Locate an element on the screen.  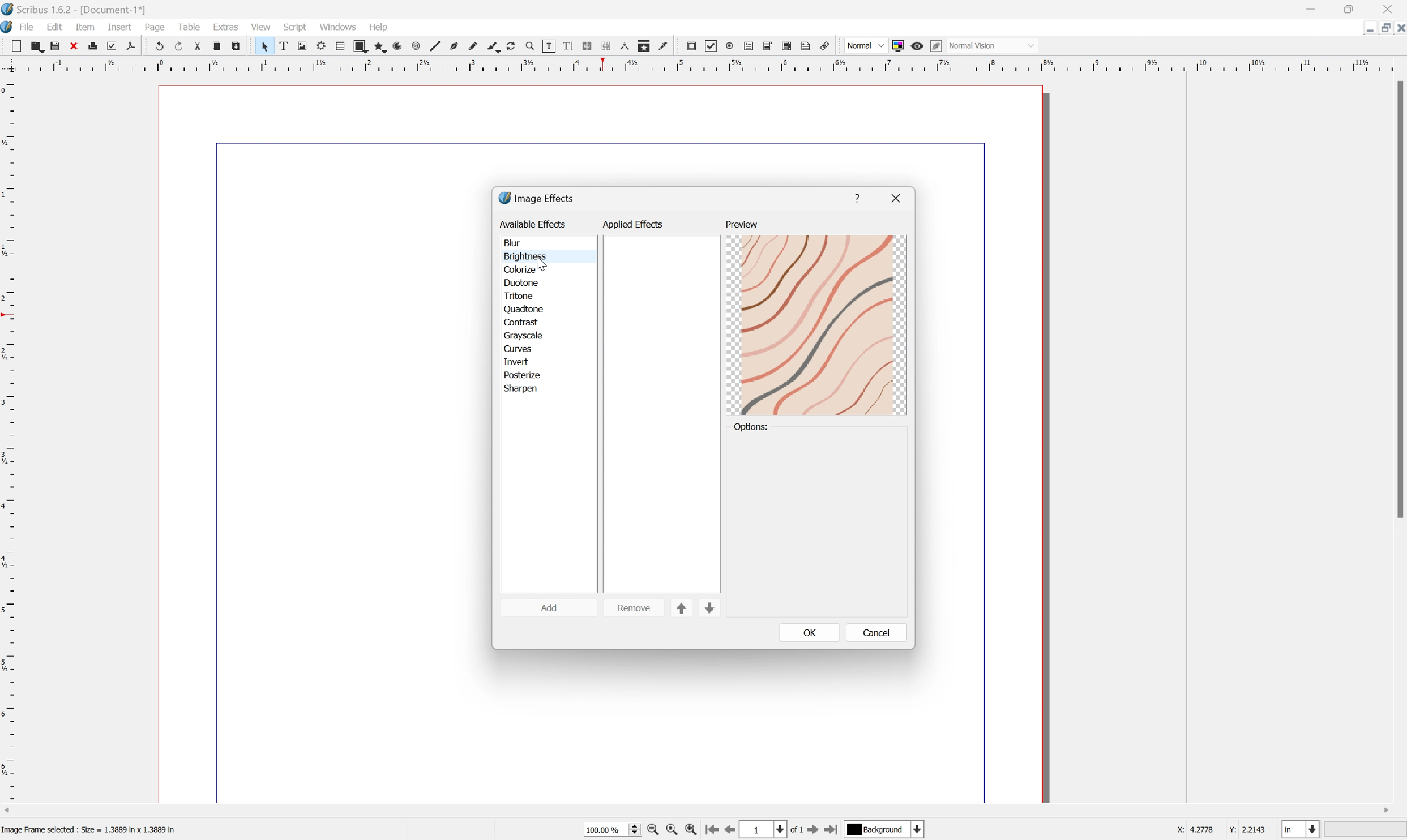
Unlink text frames is located at coordinates (608, 46).